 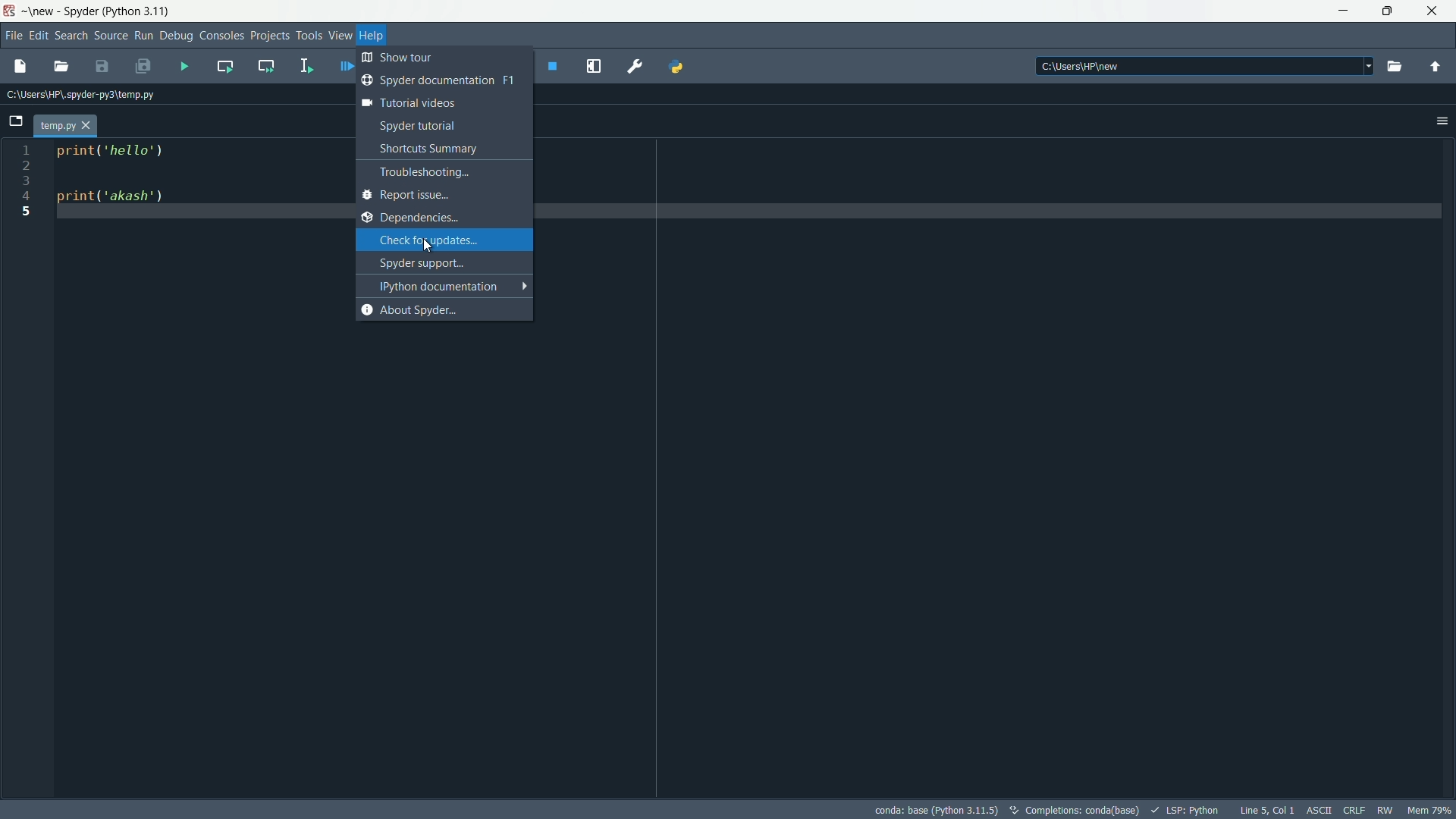 I want to click on python interpreter, so click(x=927, y=809).